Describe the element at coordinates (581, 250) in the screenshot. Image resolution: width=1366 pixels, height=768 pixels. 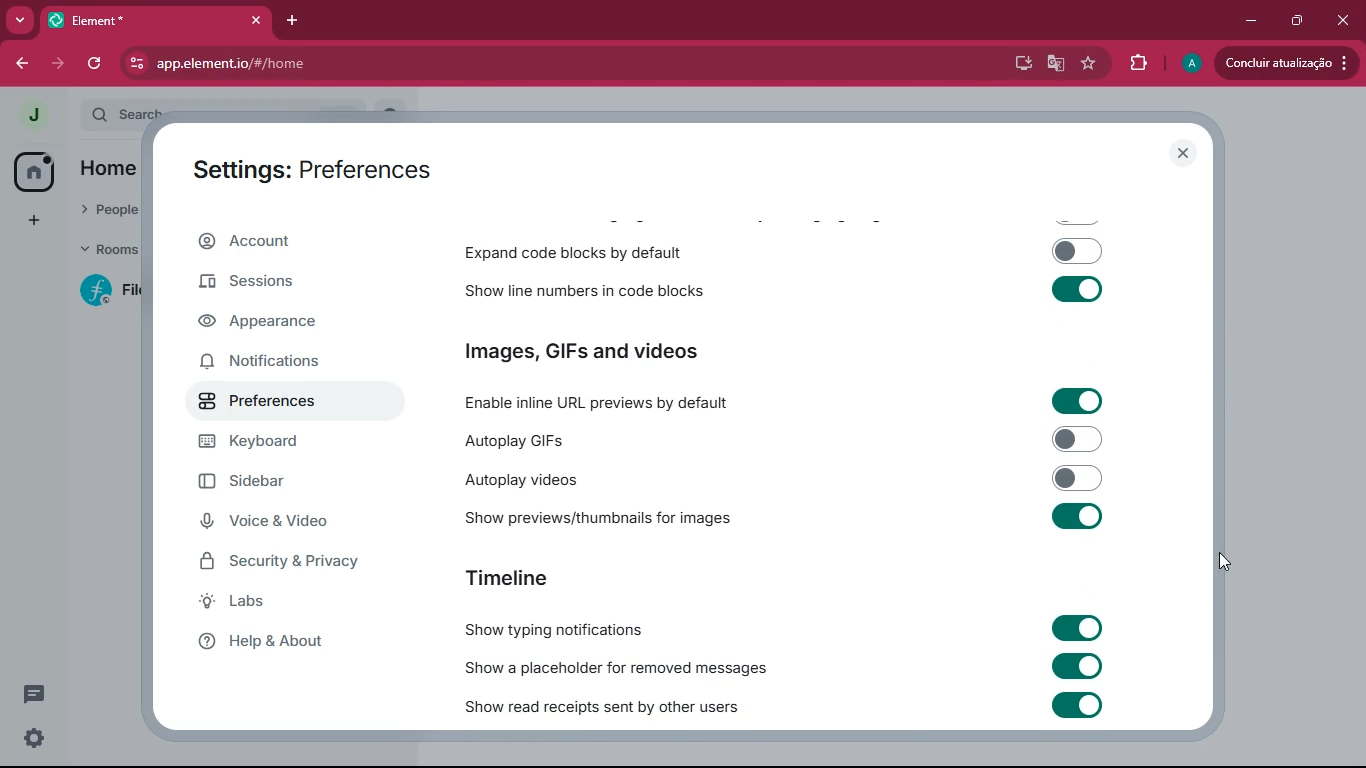
I see `expand code blocks by default` at that location.